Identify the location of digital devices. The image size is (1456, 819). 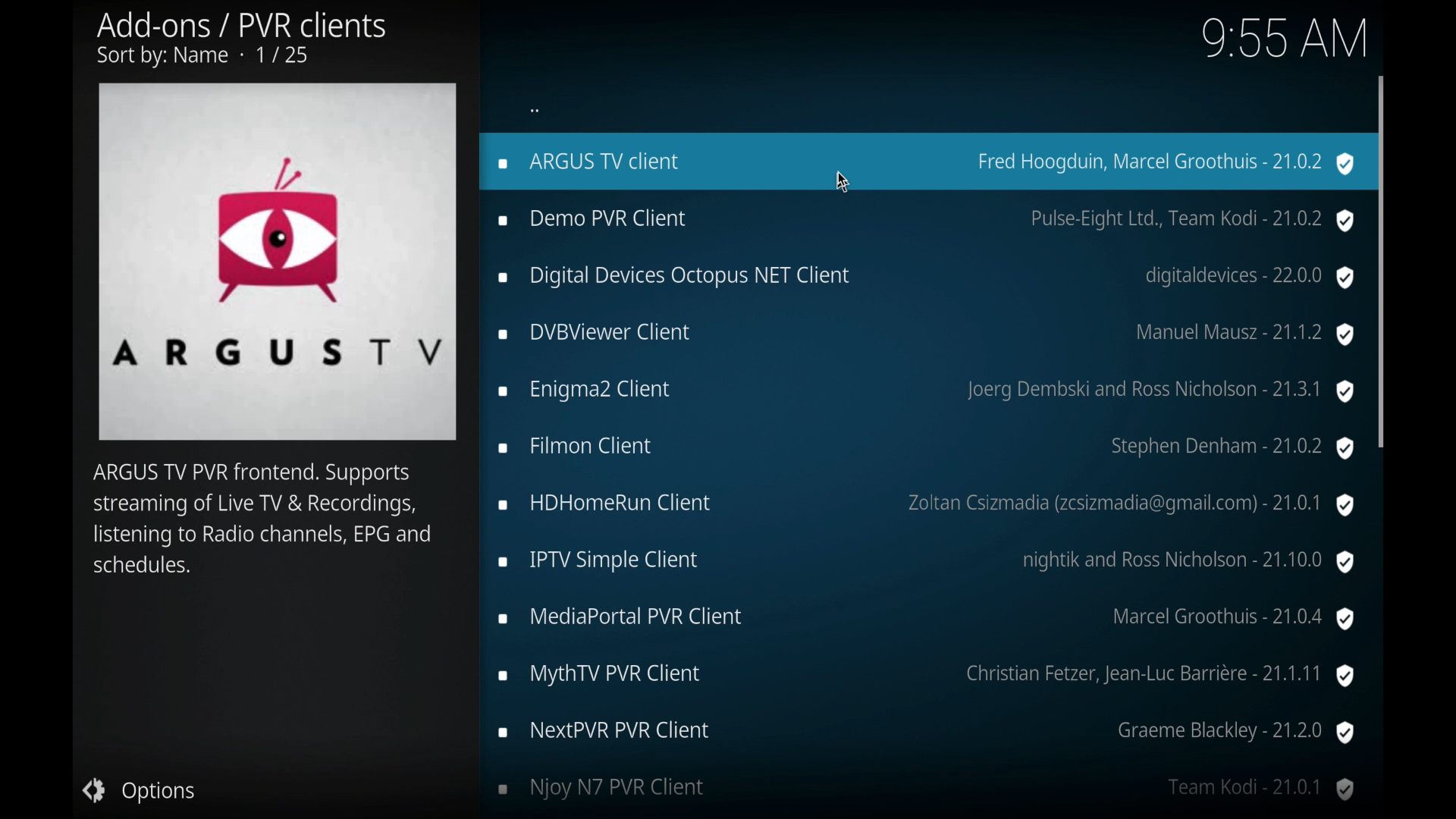
(927, 278).